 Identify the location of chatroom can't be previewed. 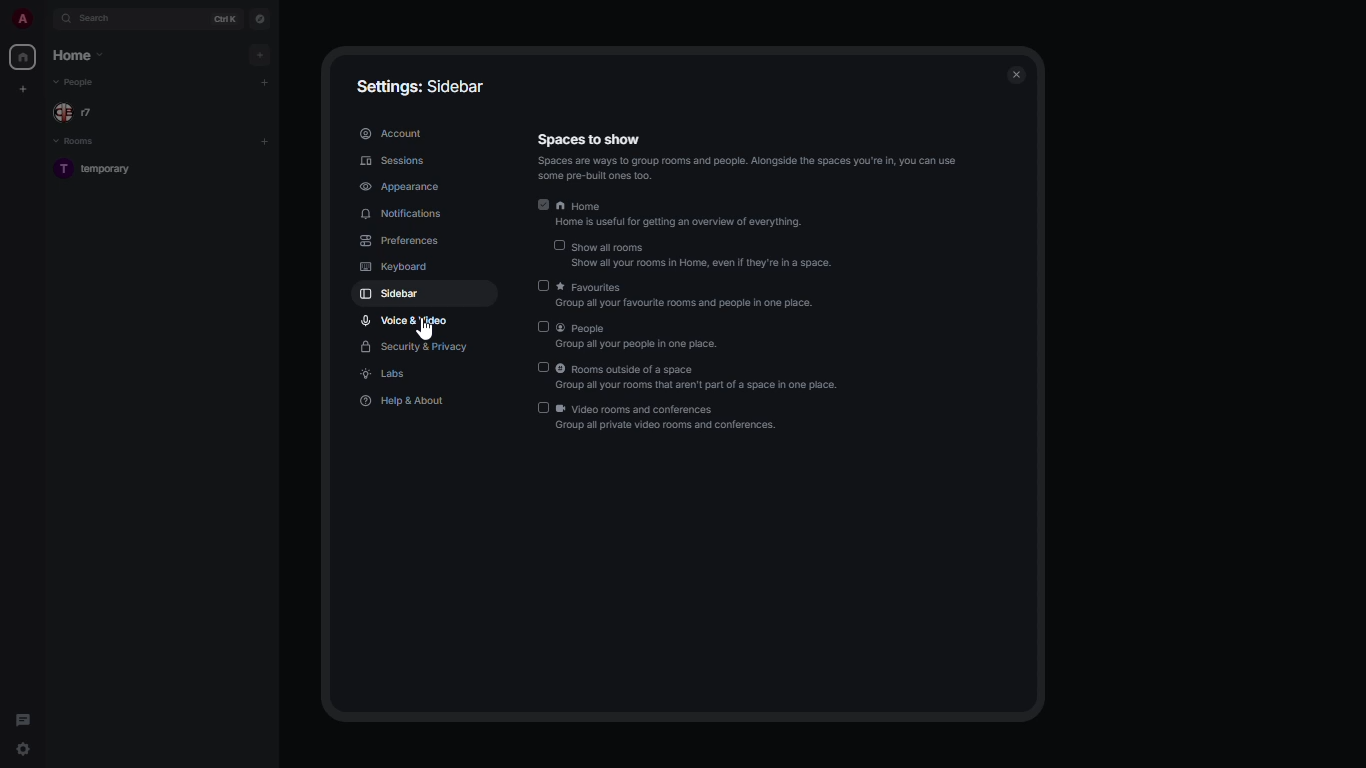
(821, 360).